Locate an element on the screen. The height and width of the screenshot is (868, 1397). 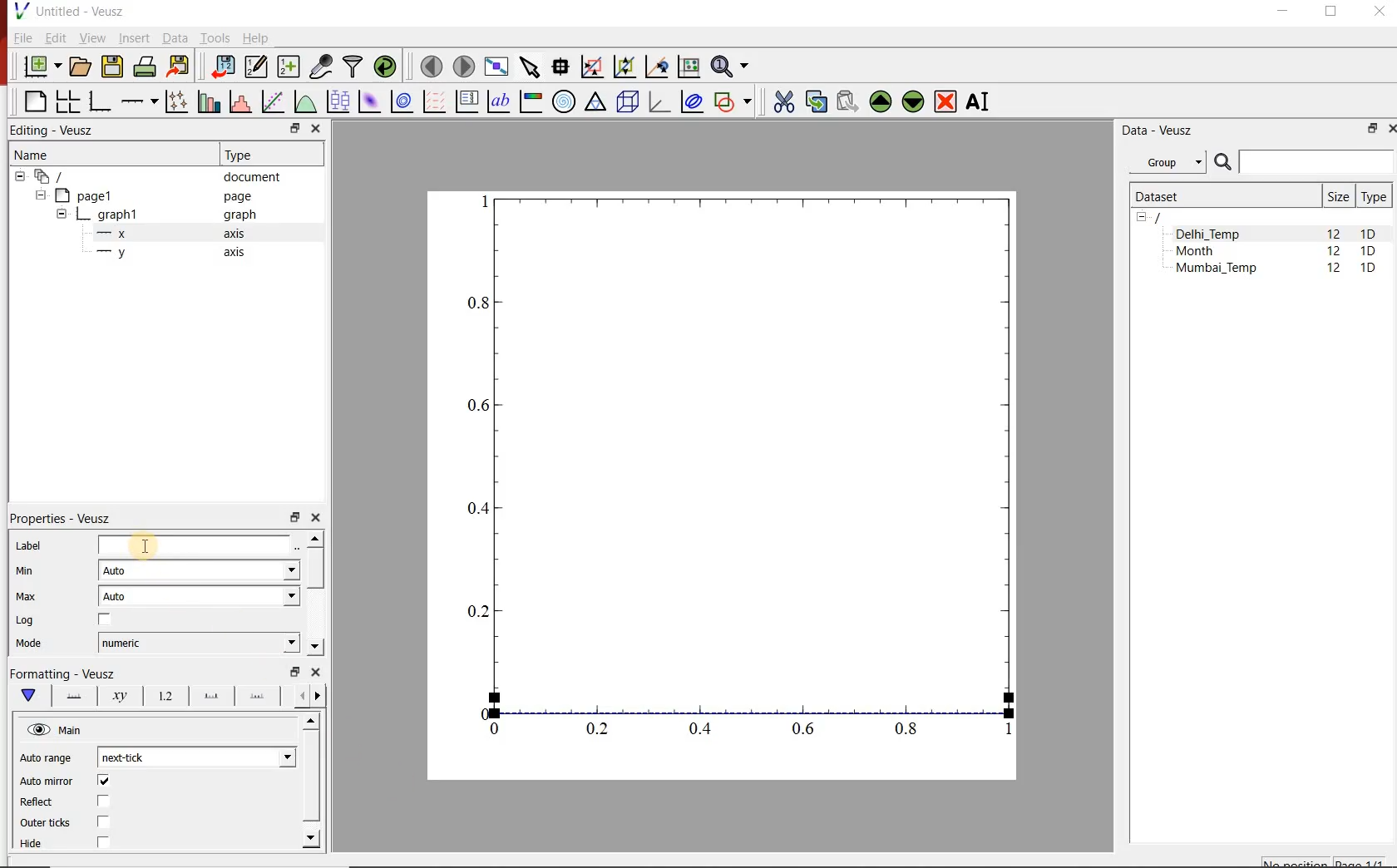
Auto is located at coordinates (200, 570).